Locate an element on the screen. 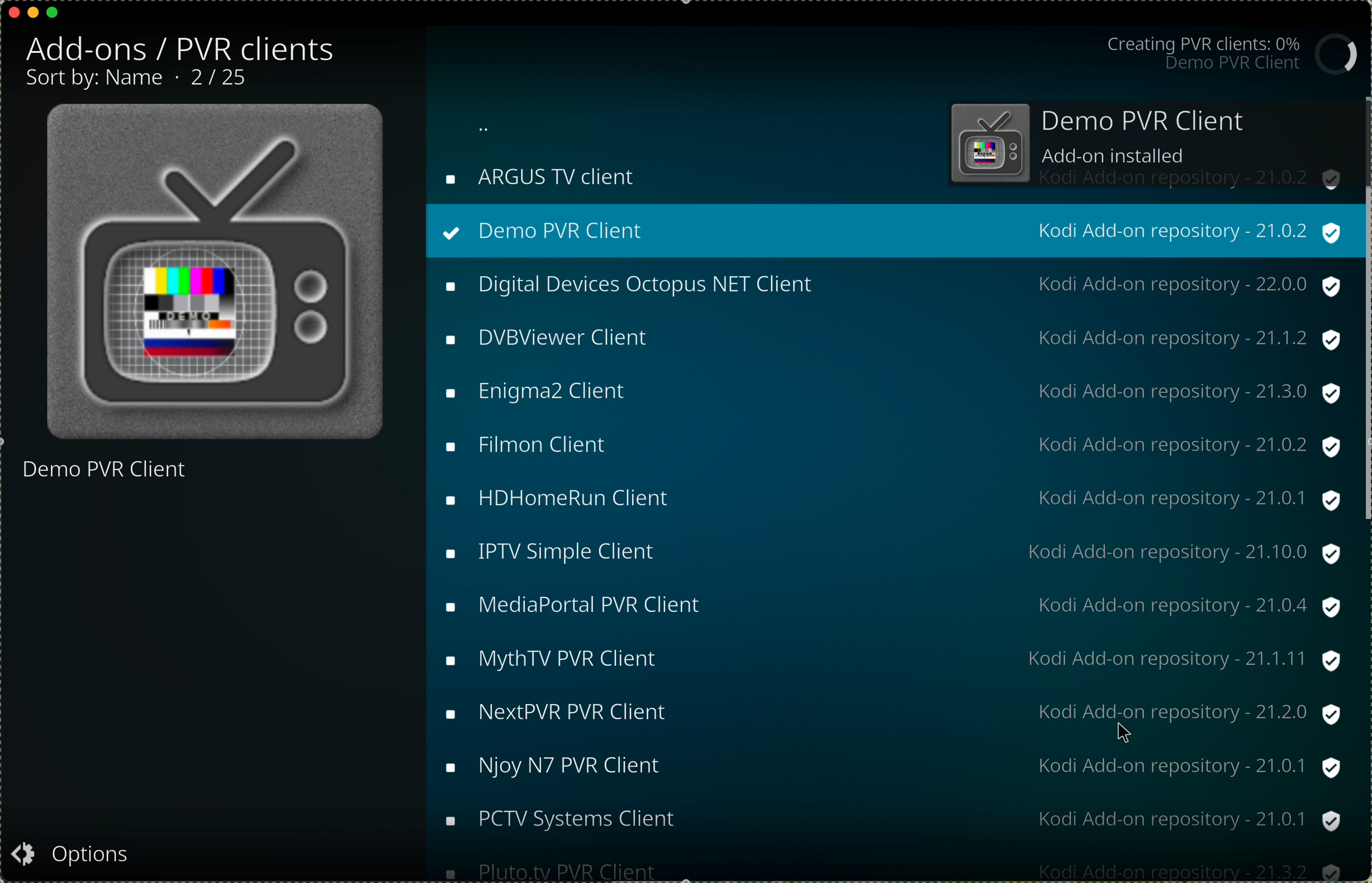 This screenshot has height=883, width=1372.  is located at coordinates (889, 334).